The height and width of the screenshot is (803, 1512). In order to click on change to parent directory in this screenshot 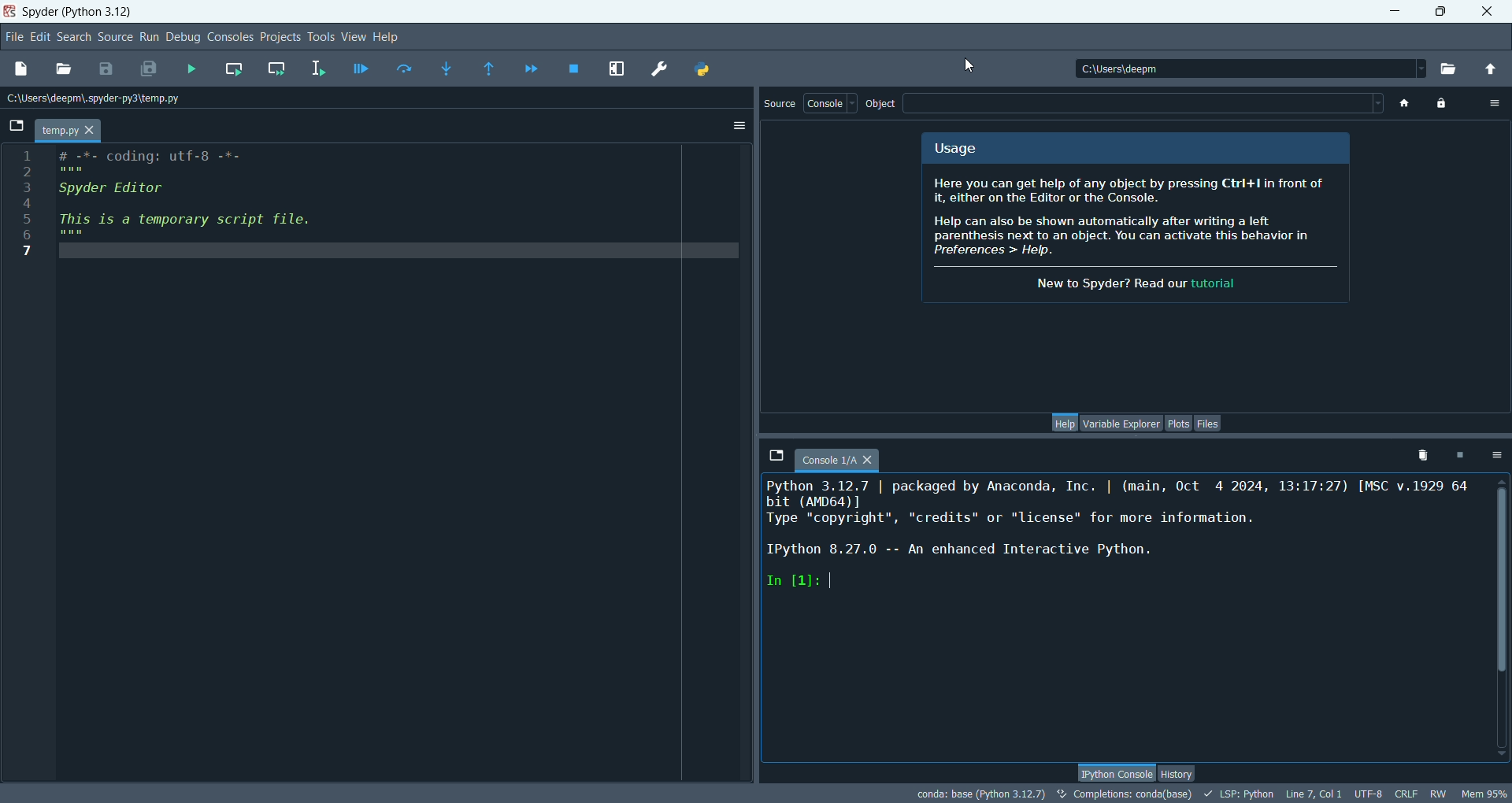, I will do `click(1490, 65)`.